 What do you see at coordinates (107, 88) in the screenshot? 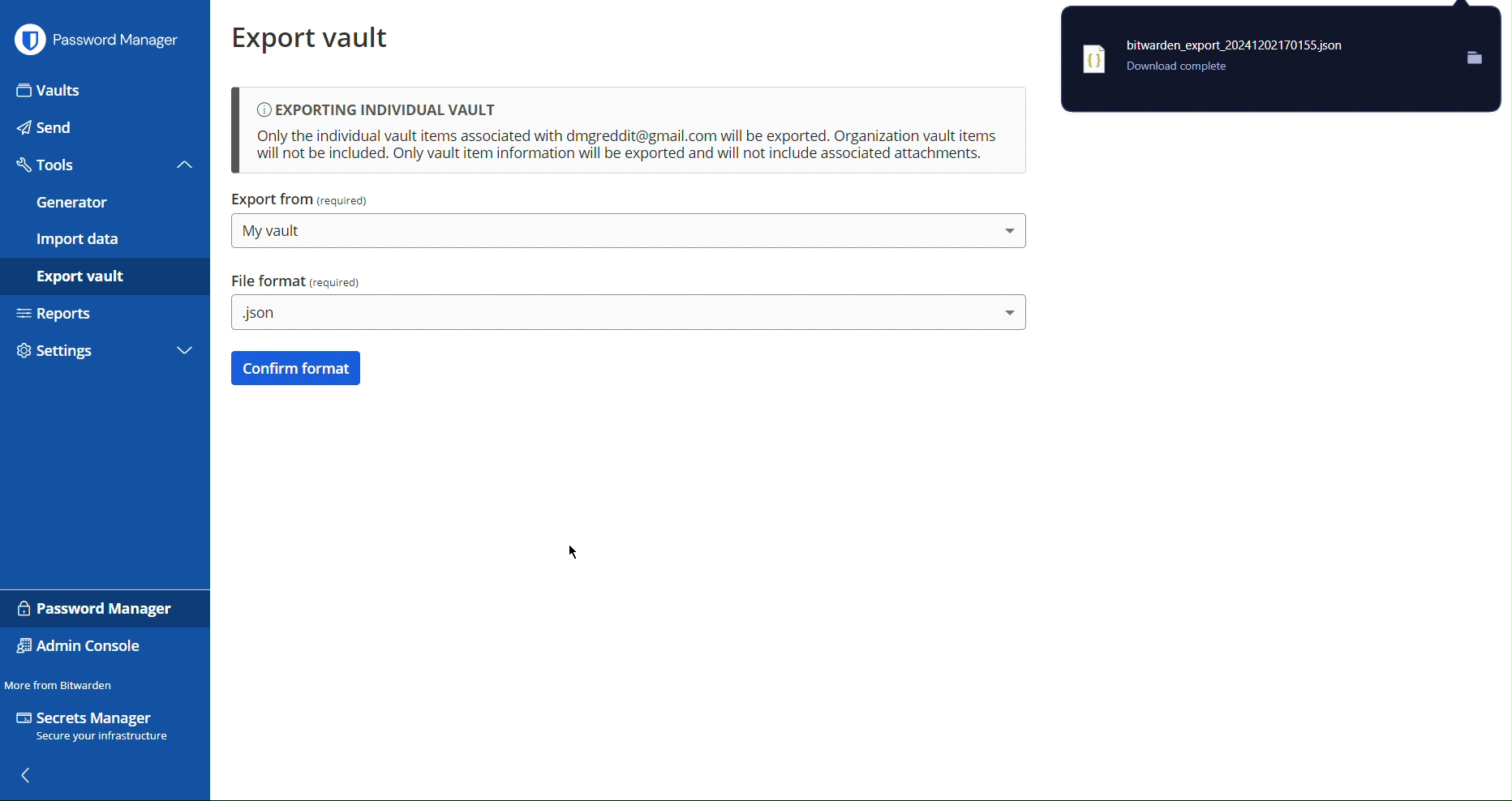
I see `` at bounding box center [107, 88].